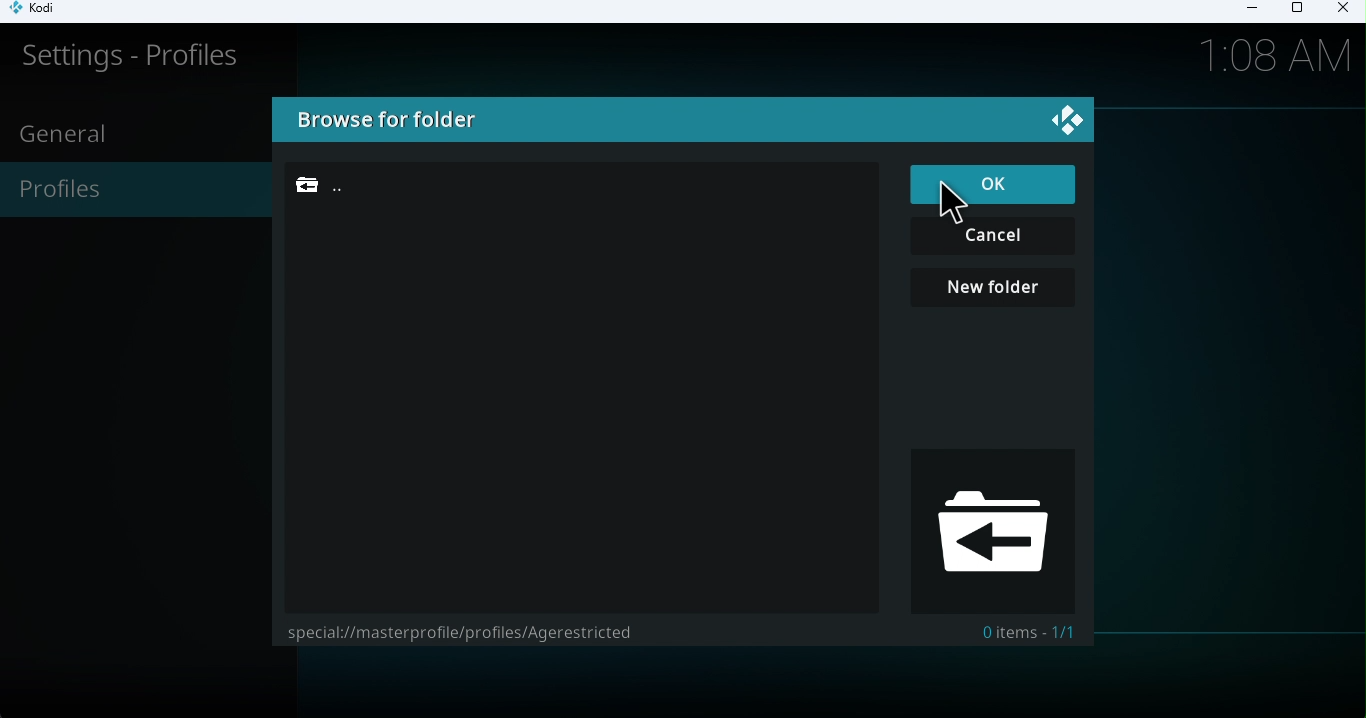 The width and height of the screenshot is (1366, 718). I want to click on cursor, so click(948, 198).